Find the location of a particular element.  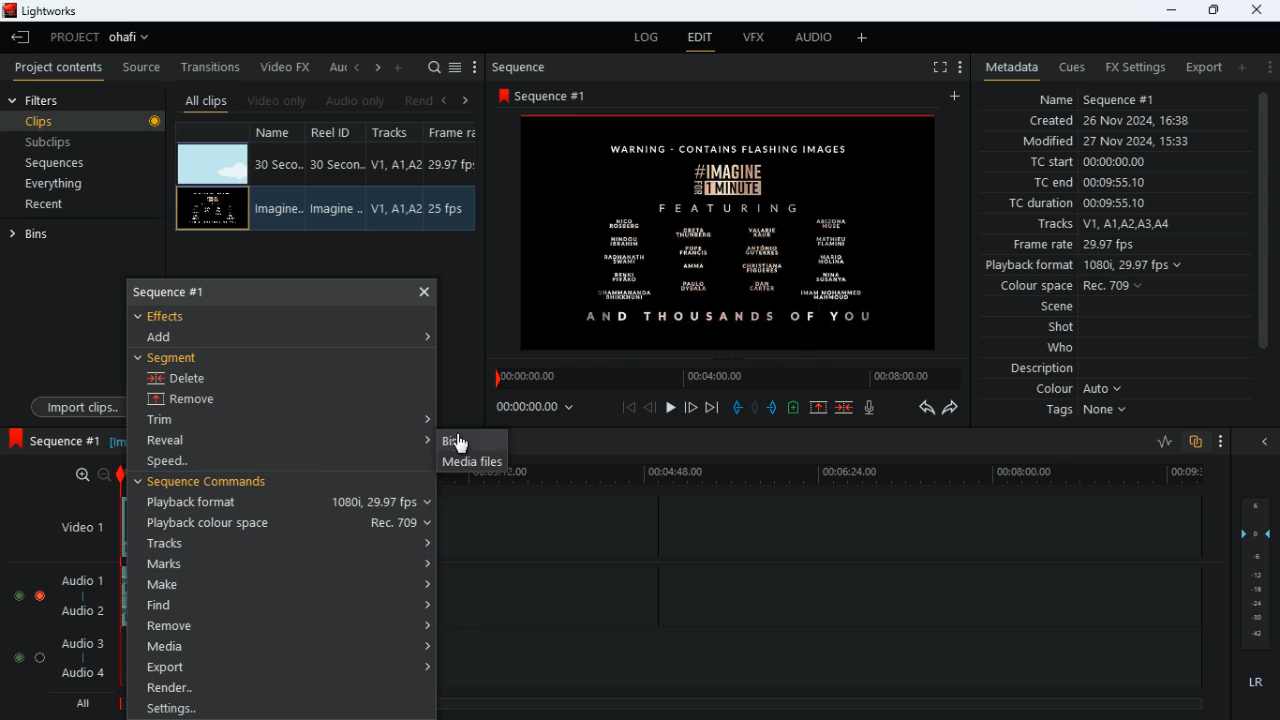

Cross is located at coordinates (425, 291).